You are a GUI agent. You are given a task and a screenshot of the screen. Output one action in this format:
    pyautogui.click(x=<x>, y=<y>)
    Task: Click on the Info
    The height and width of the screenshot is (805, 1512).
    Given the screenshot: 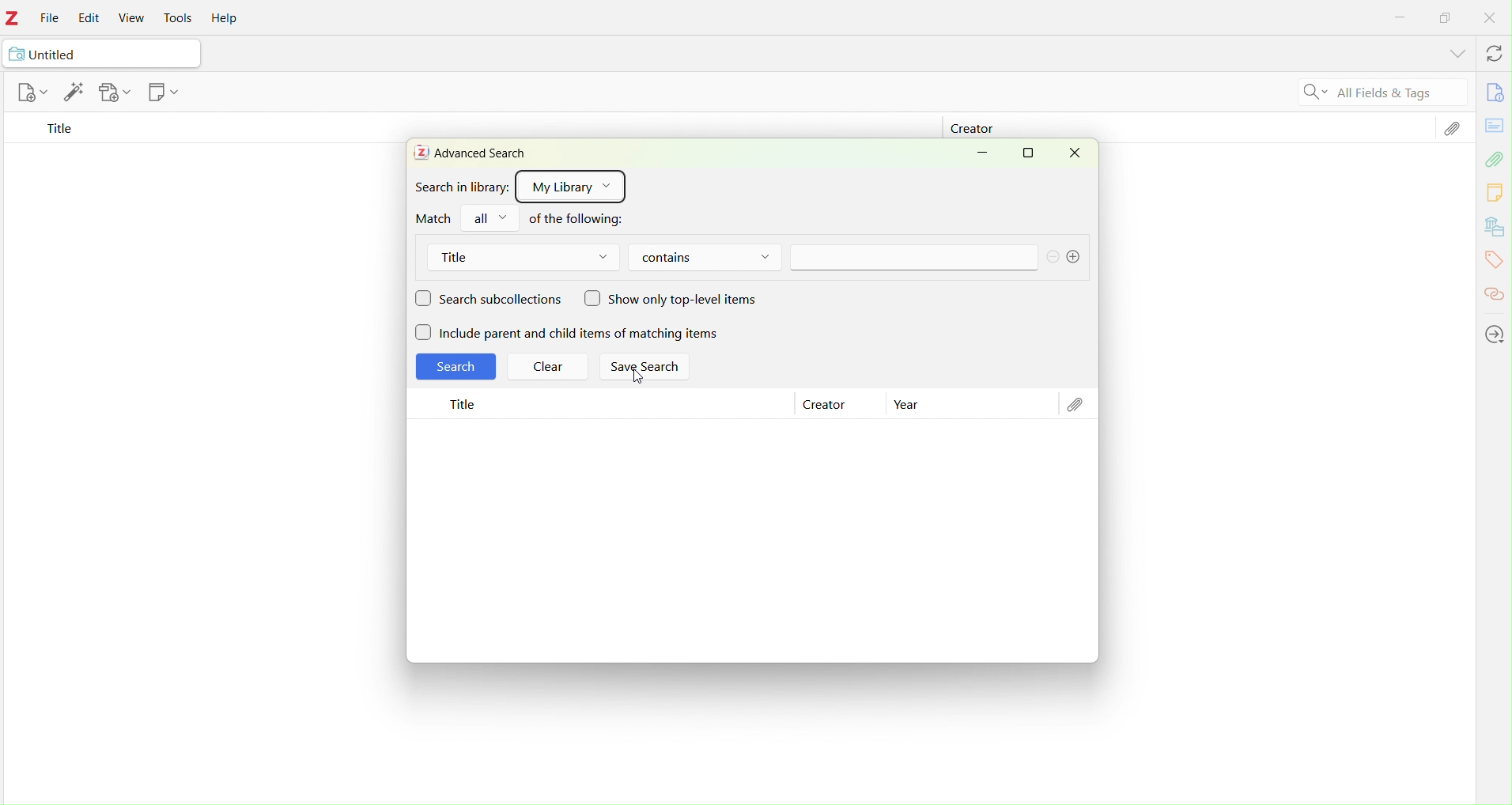 What is the action you would take?
    pyautogui.click(x=1492, y=93)
    